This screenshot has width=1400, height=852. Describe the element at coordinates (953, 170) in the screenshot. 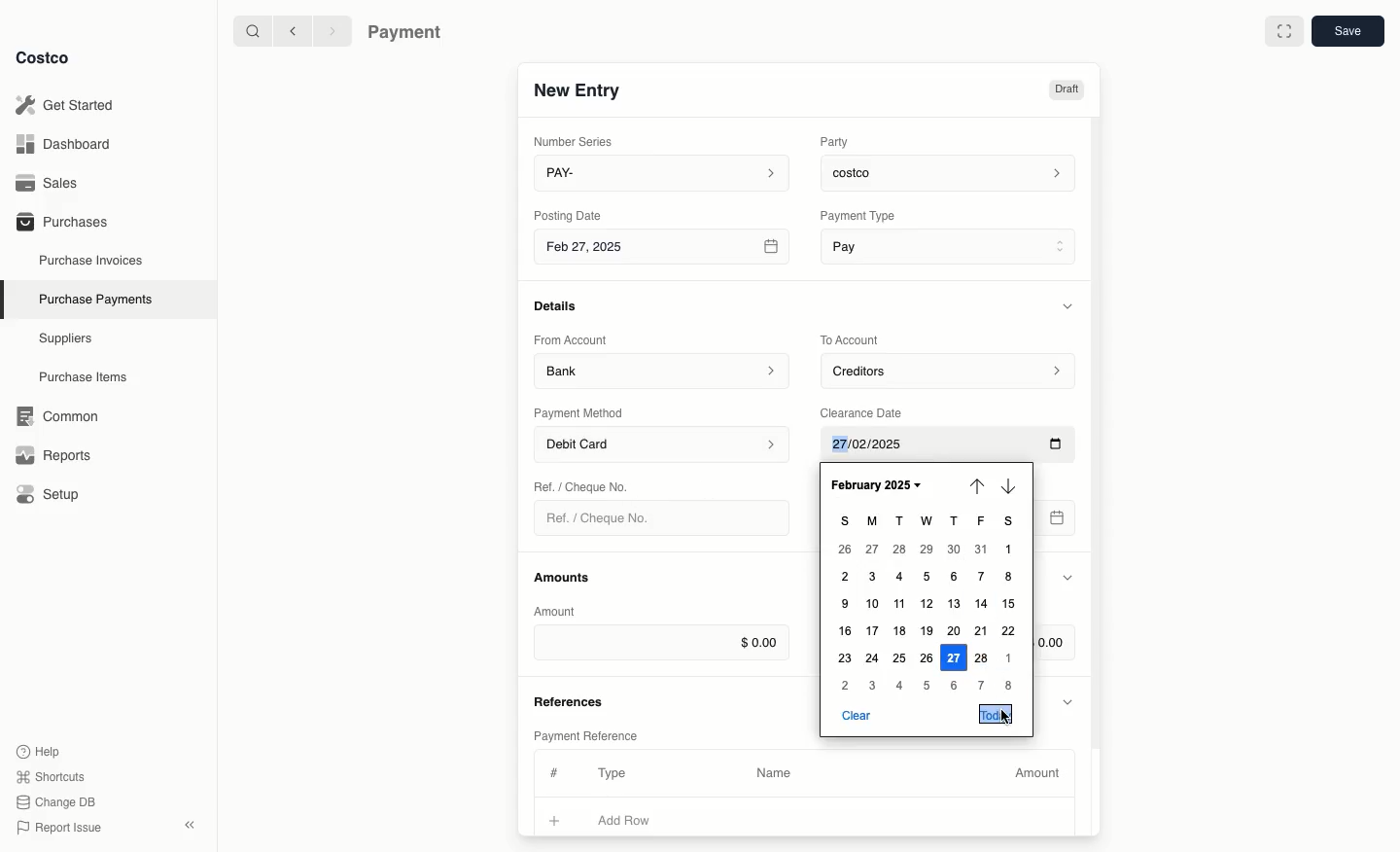

I see `costco` at that location.